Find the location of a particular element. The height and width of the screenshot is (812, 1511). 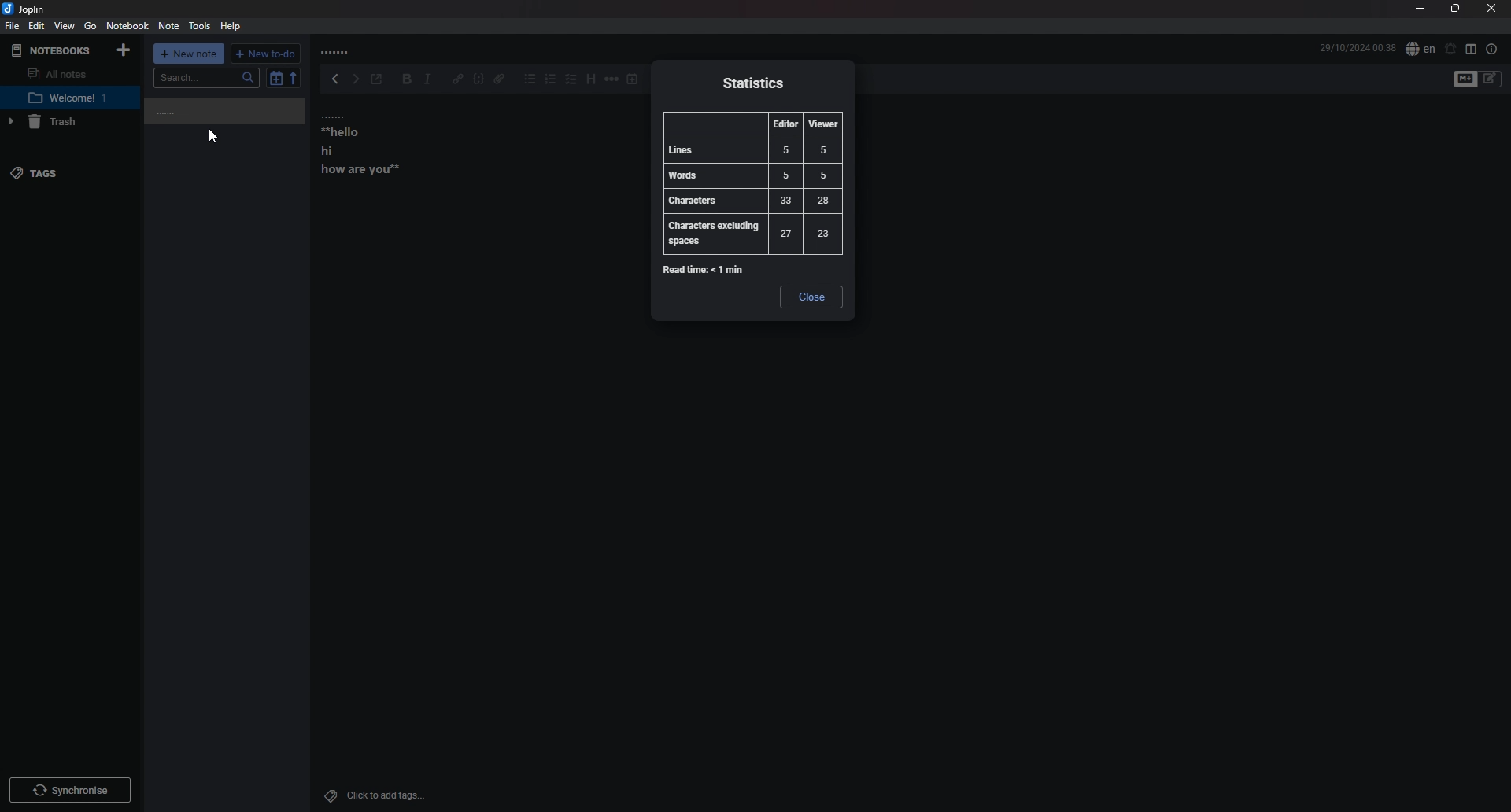

search is located at coordinates (208, 78).